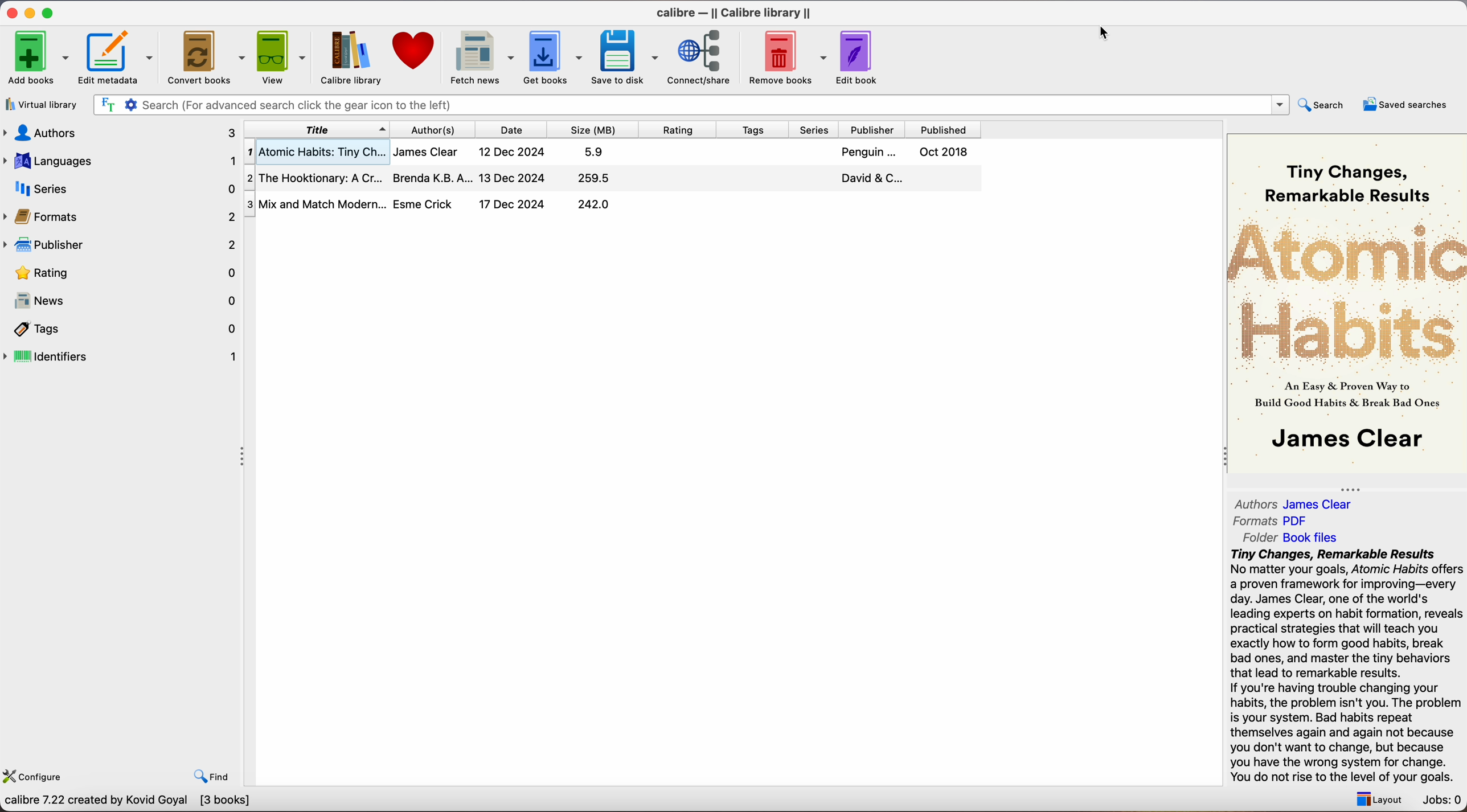 The height and width of the screenshot is (812, 1467). I want to click on close, so click(11, 13).